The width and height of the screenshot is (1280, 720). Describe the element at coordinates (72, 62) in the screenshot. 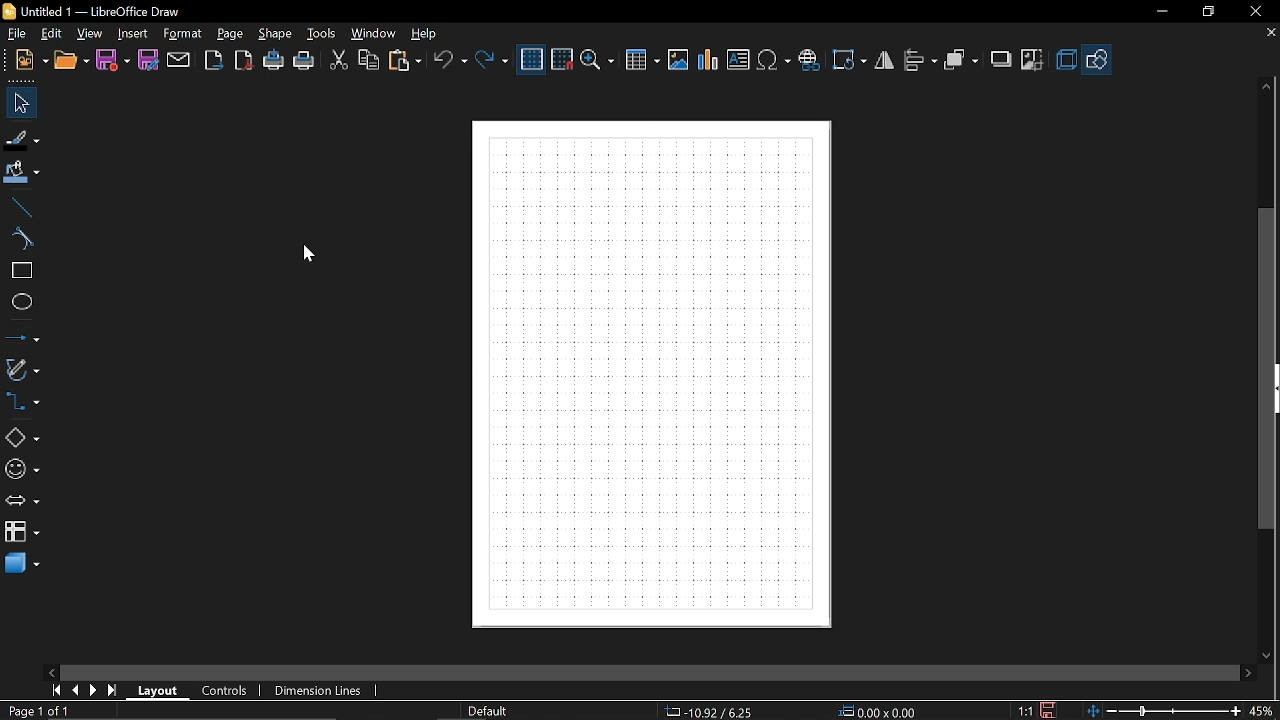

I see `open` at that location.